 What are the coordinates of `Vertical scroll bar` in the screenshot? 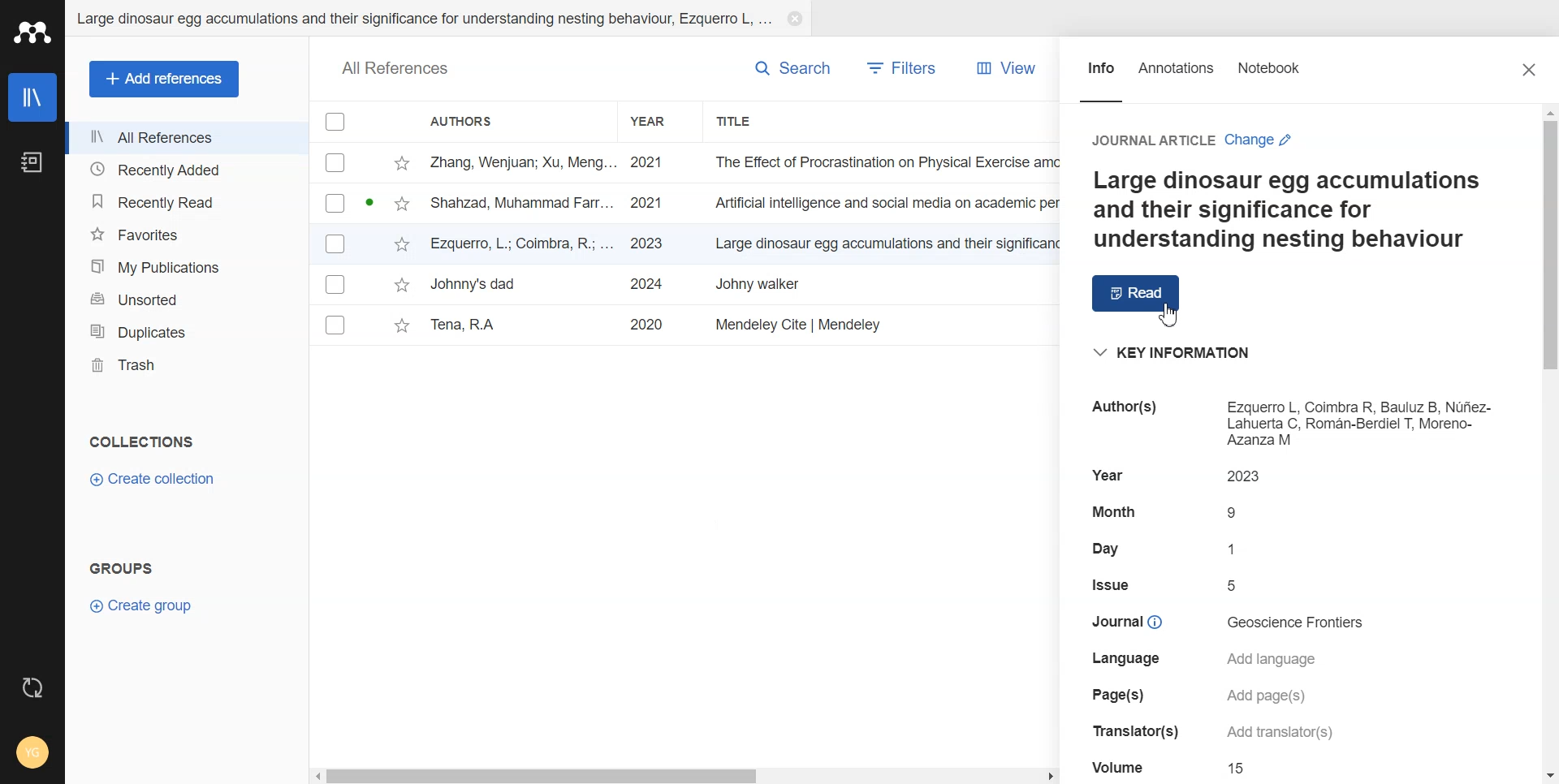 It's located at (1549, 445).